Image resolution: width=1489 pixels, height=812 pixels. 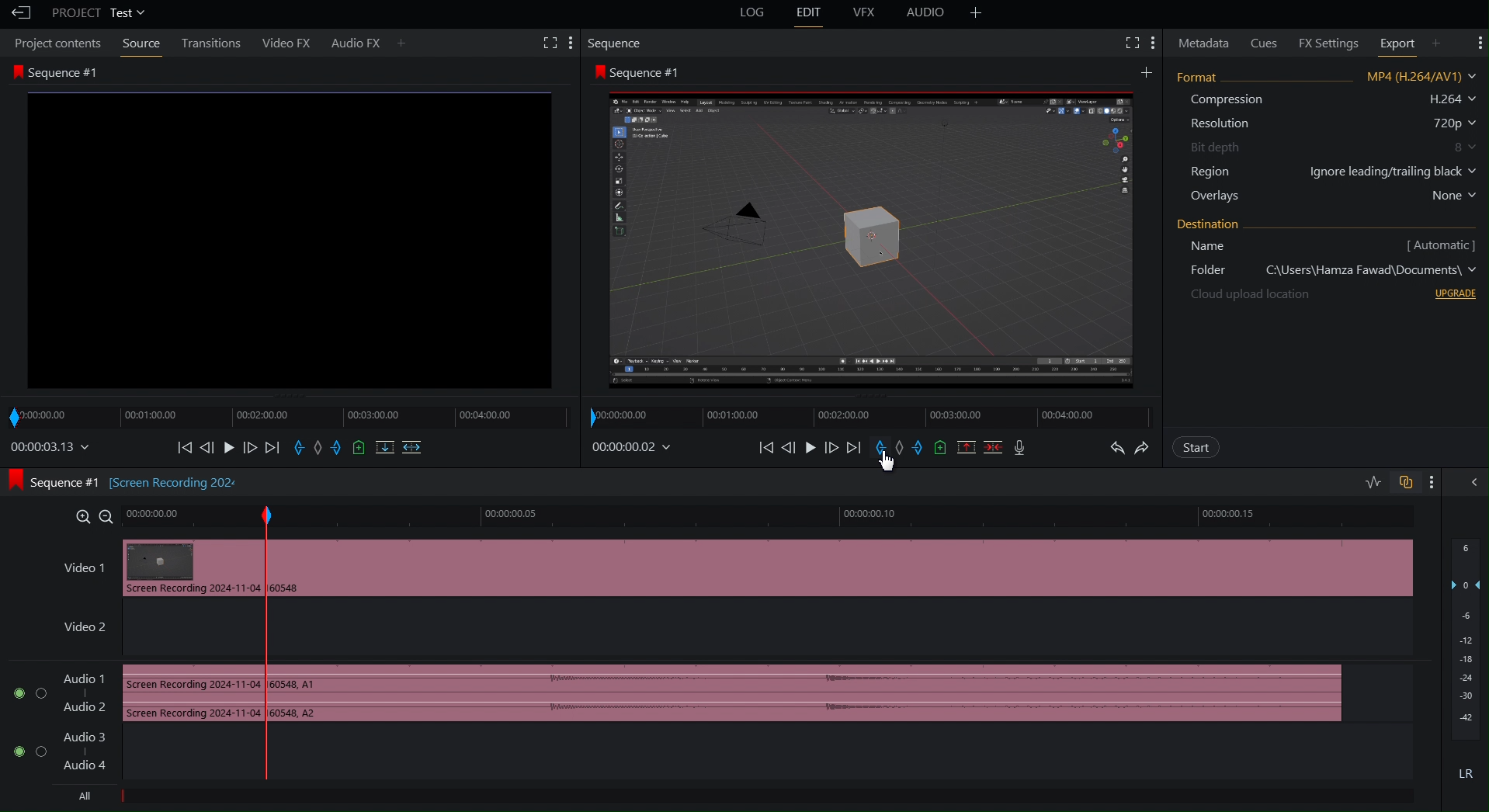 What do you see at coordinates (18, 13) in the screenshot?
I see `Back` at bounding box center [18, 13].